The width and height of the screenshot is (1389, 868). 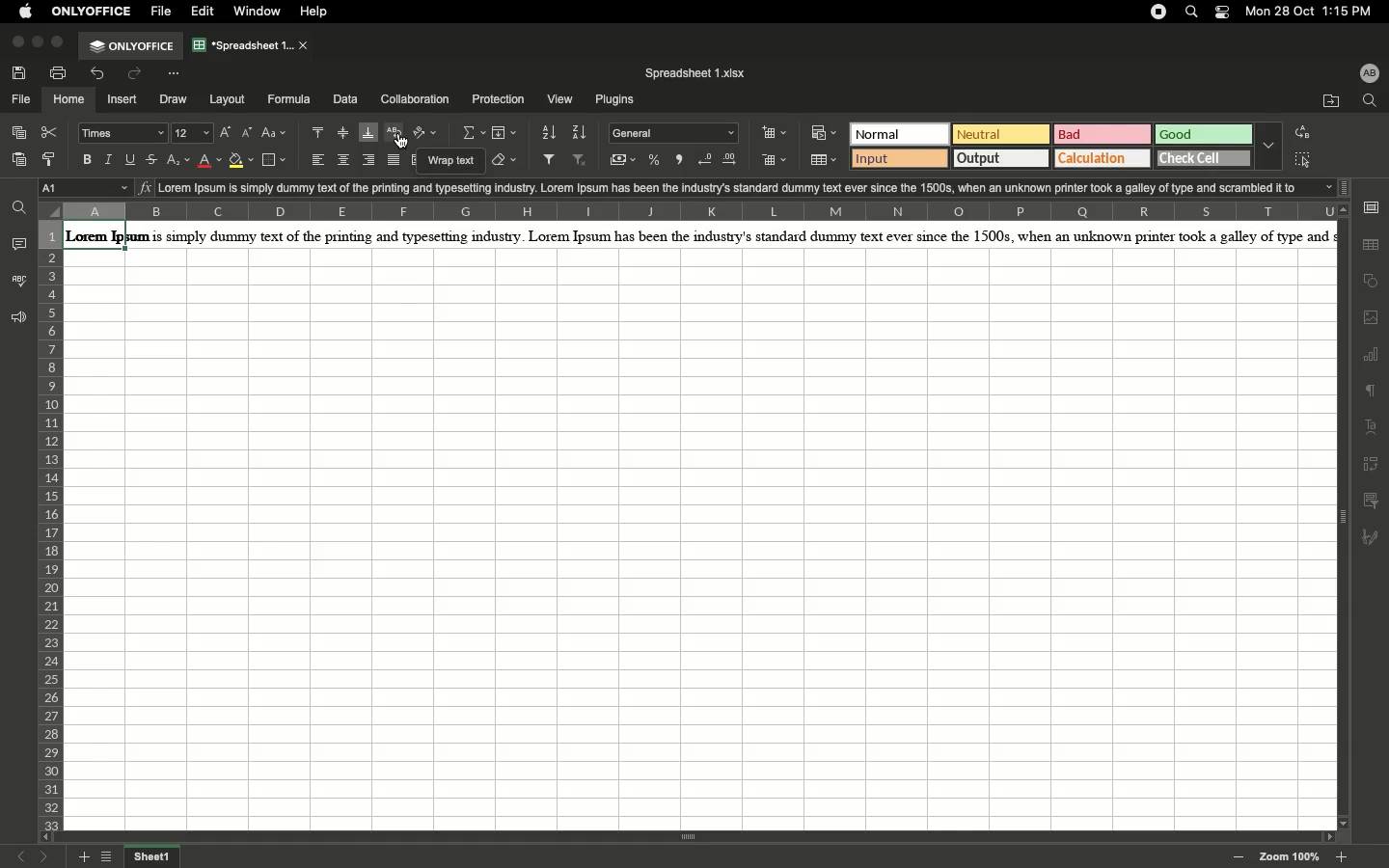 What do you see at coordinates (1241, 858) in the screenshot?
I see `Zoom out` at bounding box center [1241, 858].